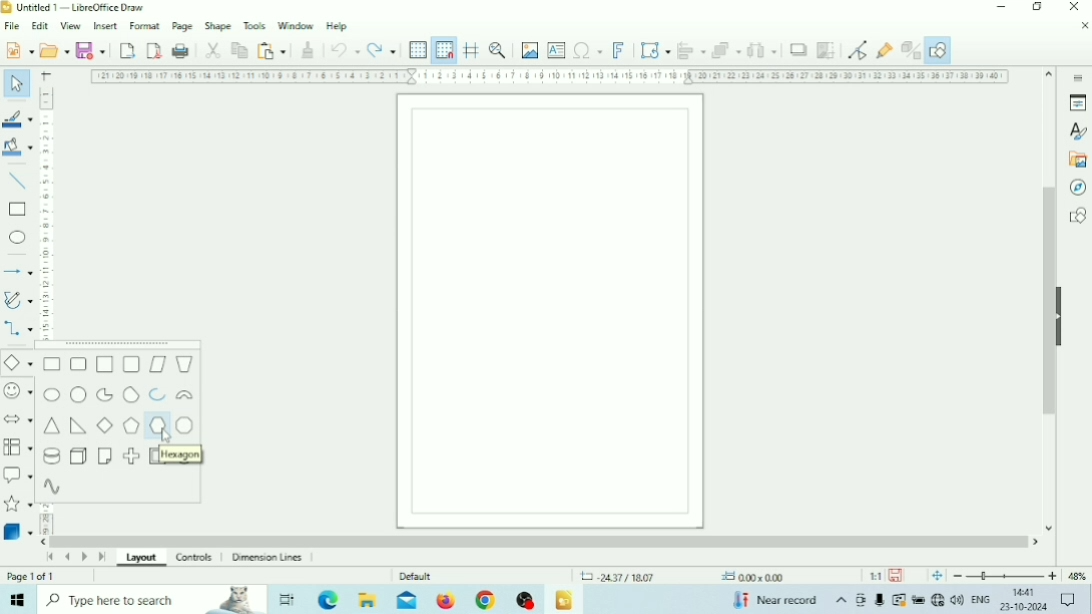  Describe the element at coordinates (1037, 7) in the screenshot. I see `Restore Down` at that location.